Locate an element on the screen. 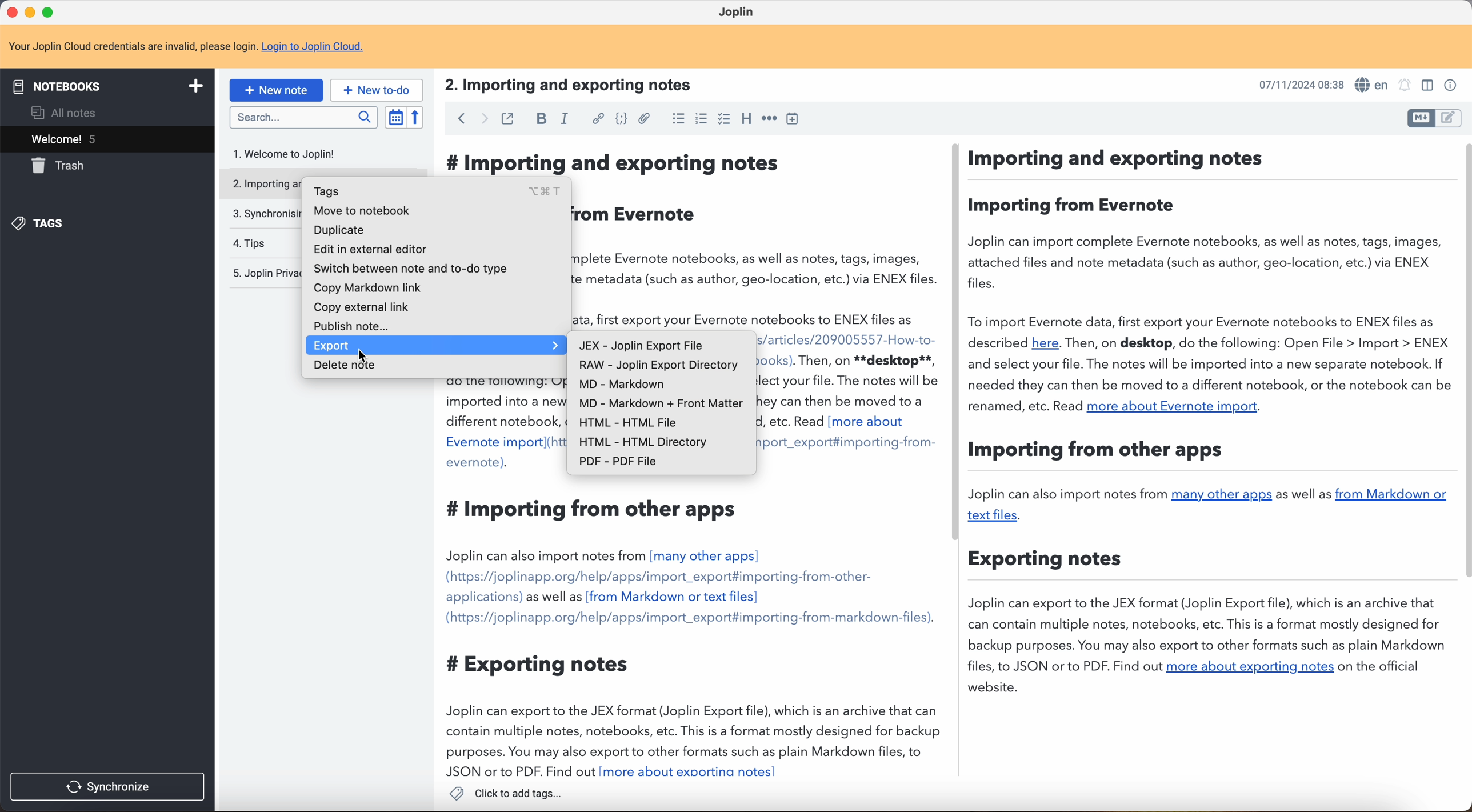 The image size is (1472, 812). title: 2. Importing and exporting notes is located at coordinates (578, 85).